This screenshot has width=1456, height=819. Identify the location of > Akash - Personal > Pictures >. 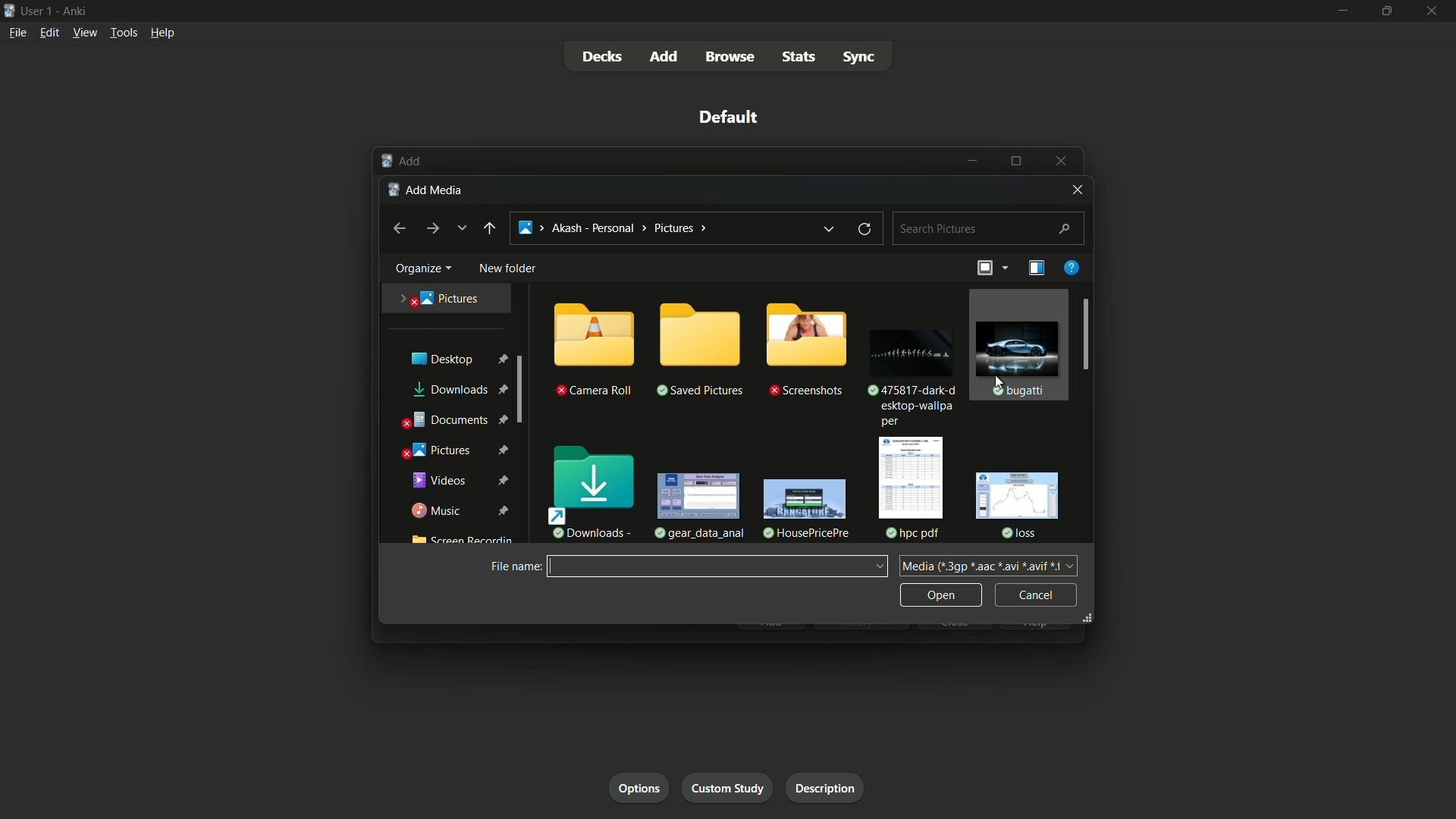
(613, 228).